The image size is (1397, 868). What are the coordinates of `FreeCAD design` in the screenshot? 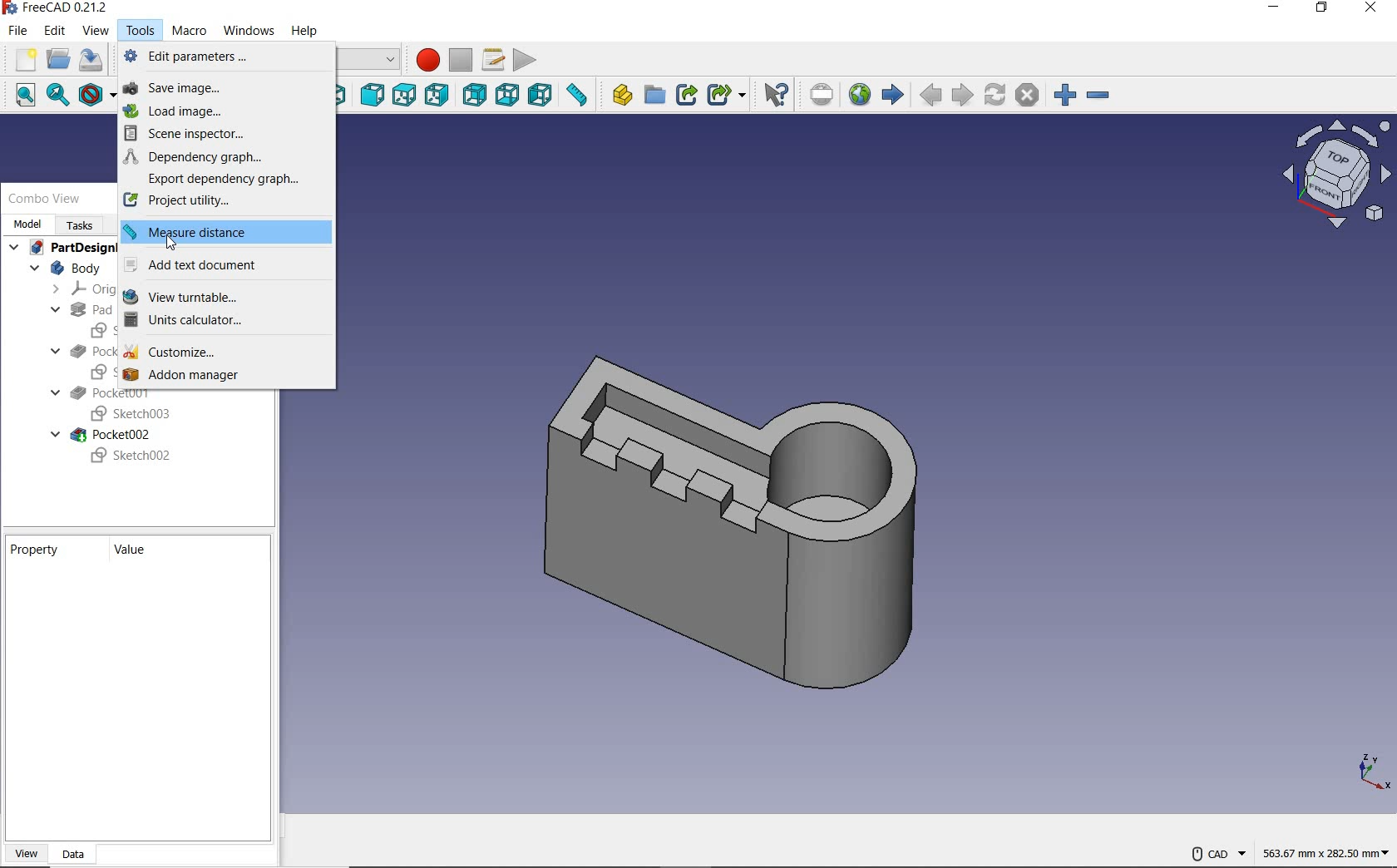 It's located at (735, 509).